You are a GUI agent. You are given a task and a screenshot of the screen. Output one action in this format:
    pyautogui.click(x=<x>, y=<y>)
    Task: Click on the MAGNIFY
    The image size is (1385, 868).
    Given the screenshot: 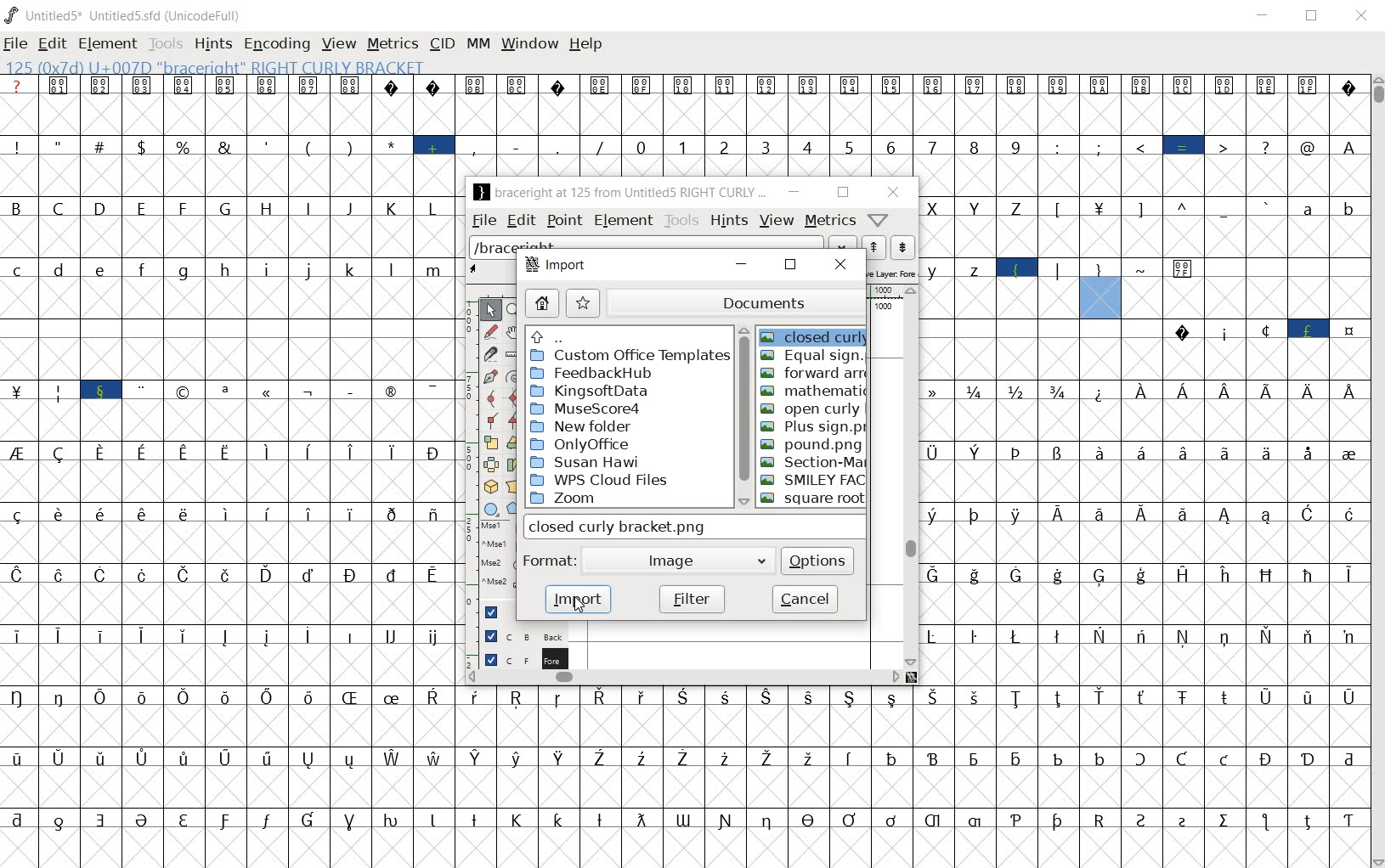 What is the action you would take?
    pyautogui.click(x=515, y=309)
    